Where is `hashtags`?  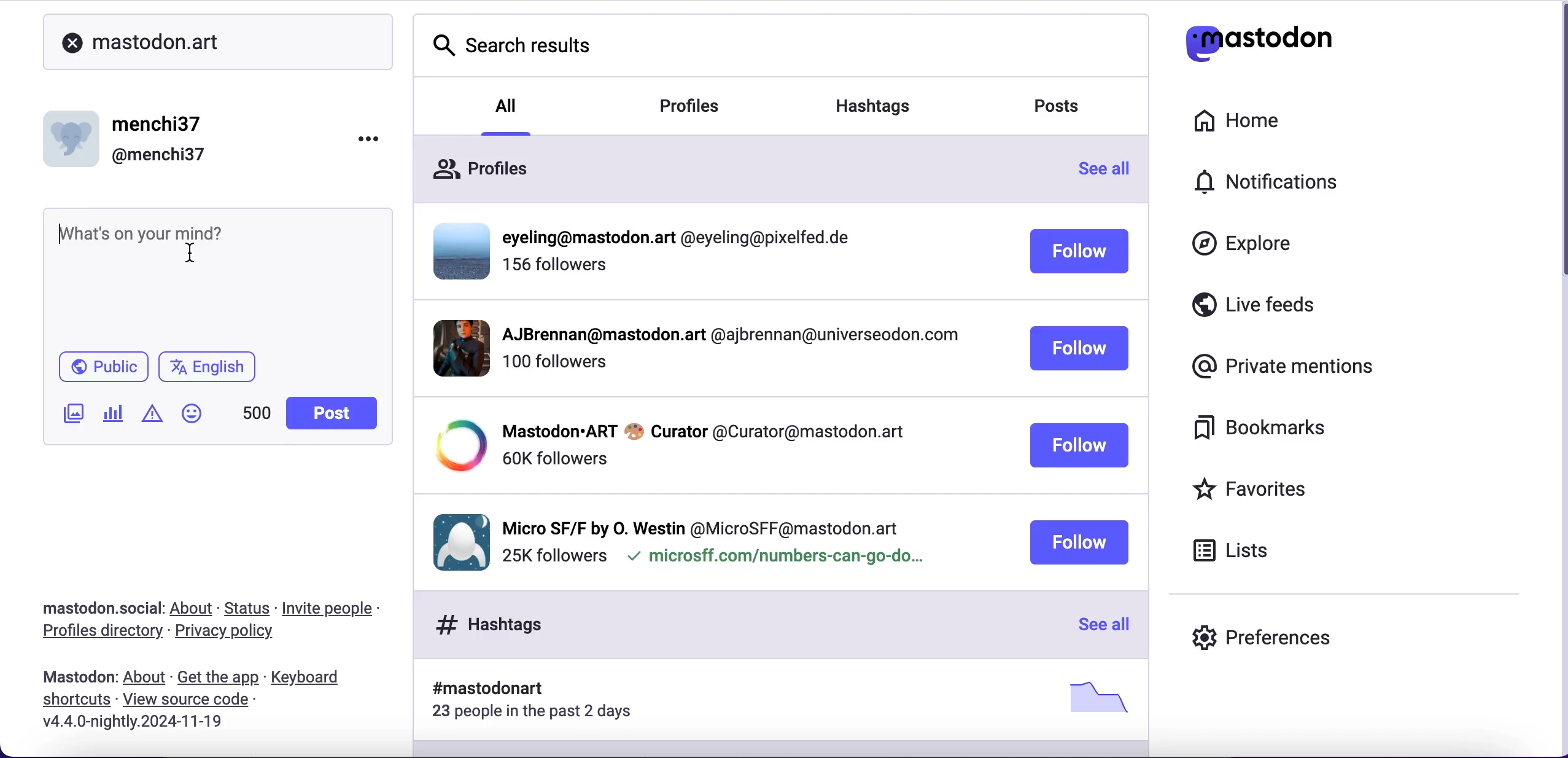
hashtags is located at coordinates (873, 107).